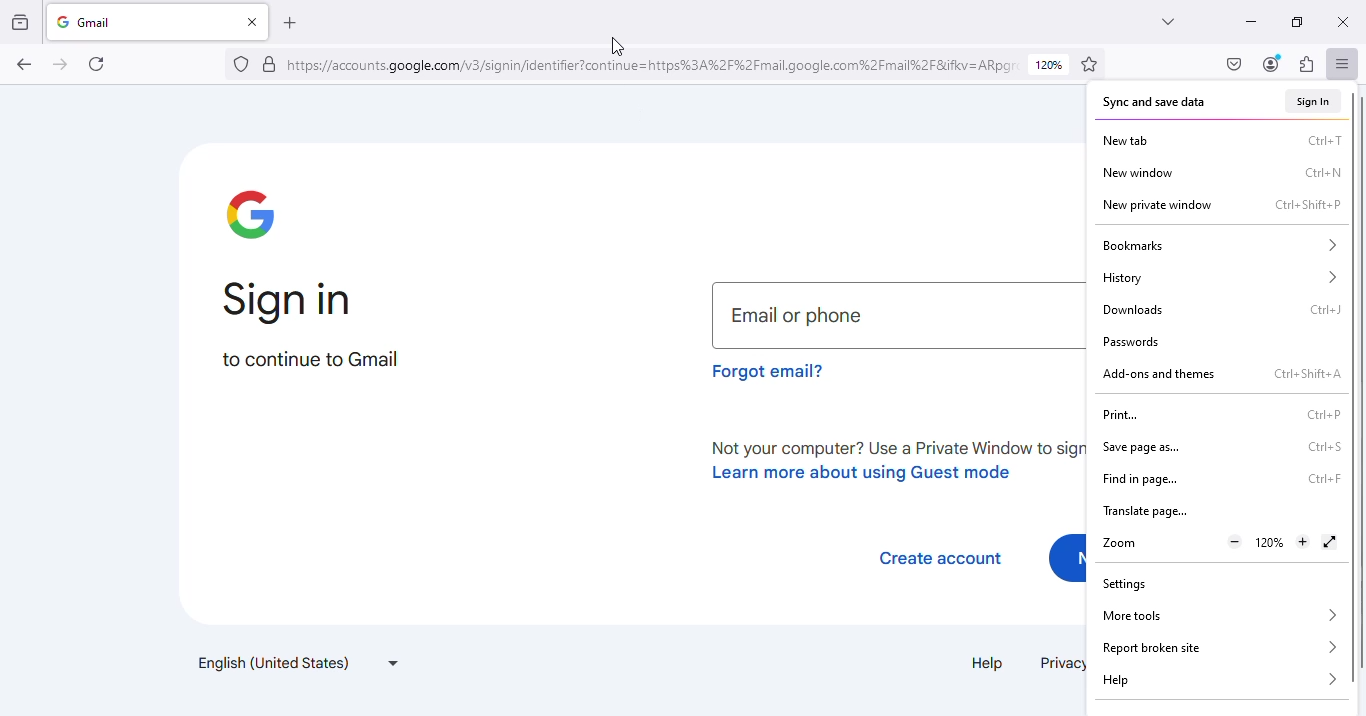  What do you see at coordinates (1066, 560) in the screenshot?
I see `next` at bounding box center [1066, 560].